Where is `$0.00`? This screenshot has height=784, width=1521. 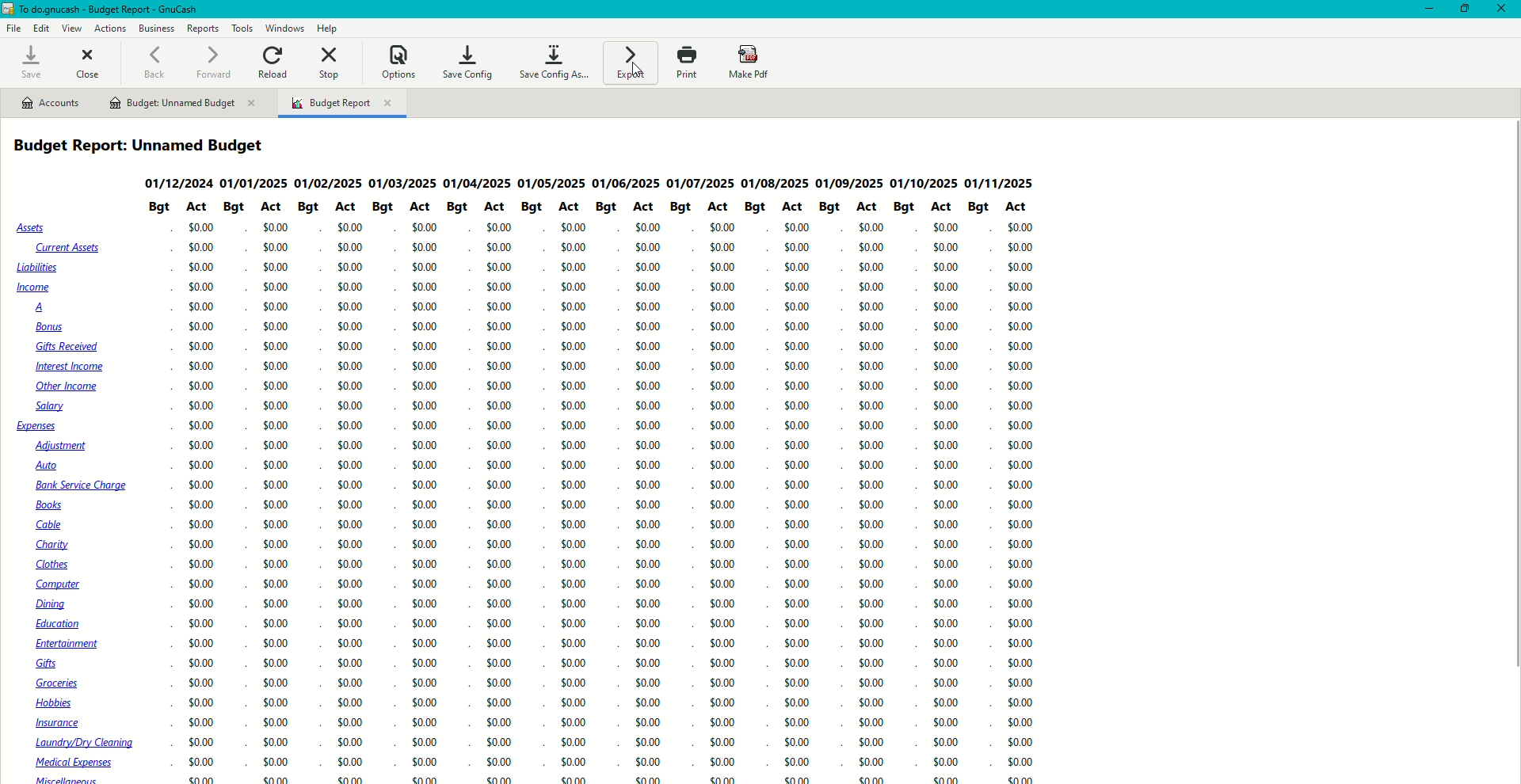 $0.00 is located at coordinates (204, 624).